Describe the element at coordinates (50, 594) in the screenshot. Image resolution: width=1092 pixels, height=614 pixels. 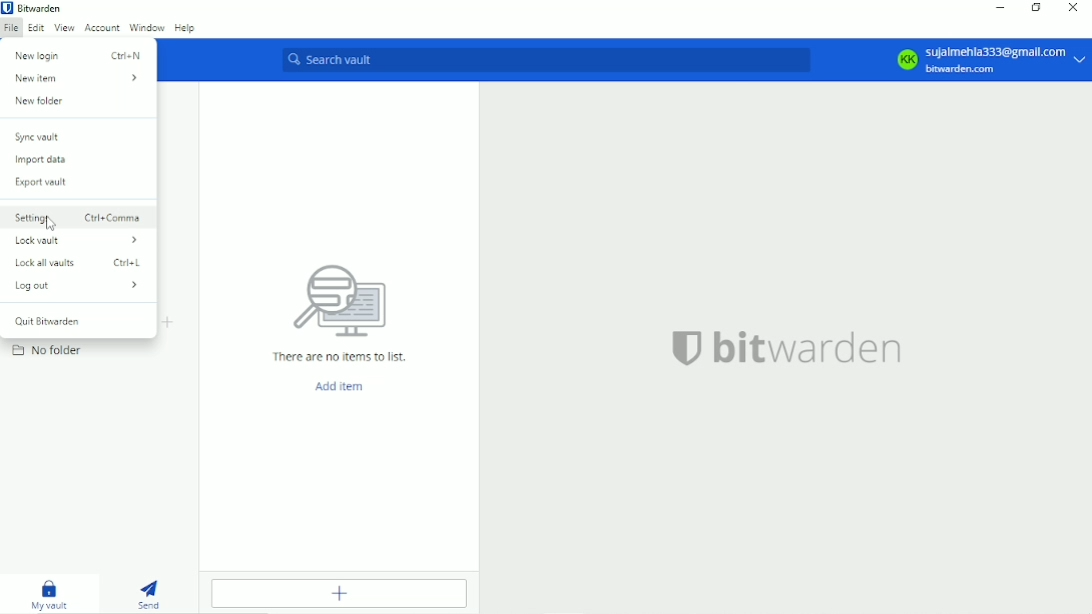
I see `My vault` at that location.